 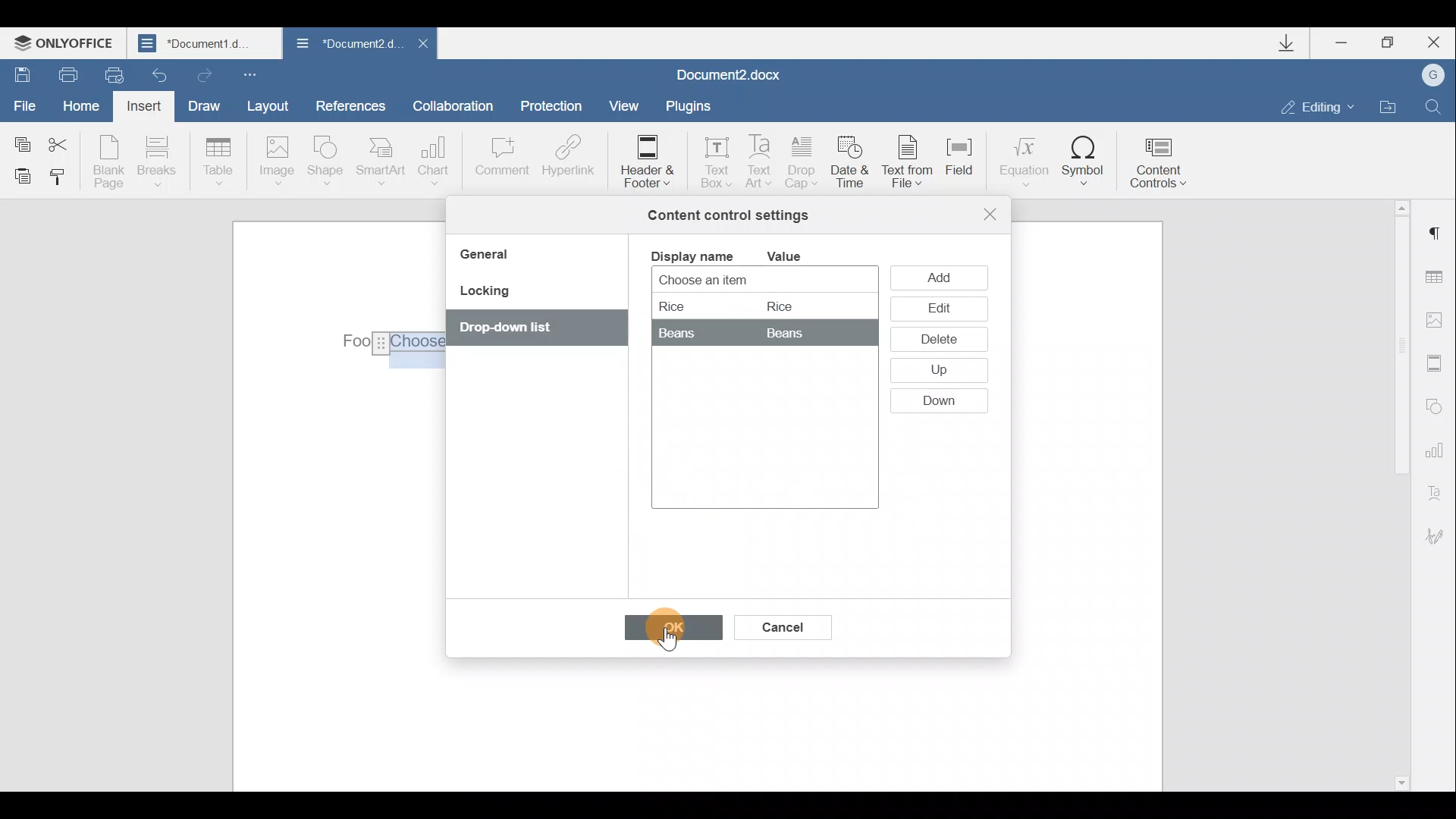 What do you see at coordinates (67, 142) in the screenshot?
I see `Cut` at bounding box center [67, 142].